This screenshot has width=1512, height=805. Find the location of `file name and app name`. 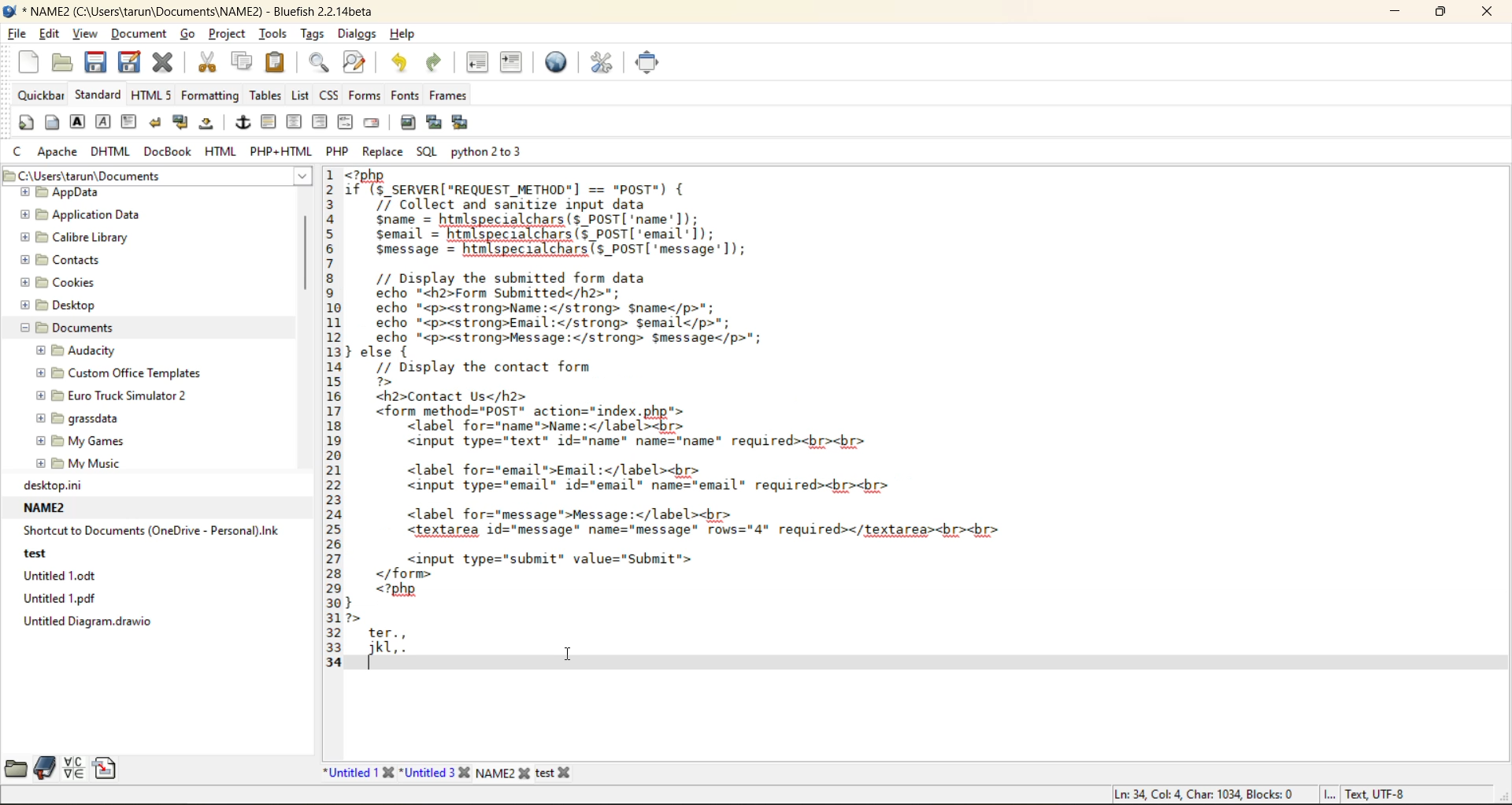

file name and app name is located at coordinates (204, 13).